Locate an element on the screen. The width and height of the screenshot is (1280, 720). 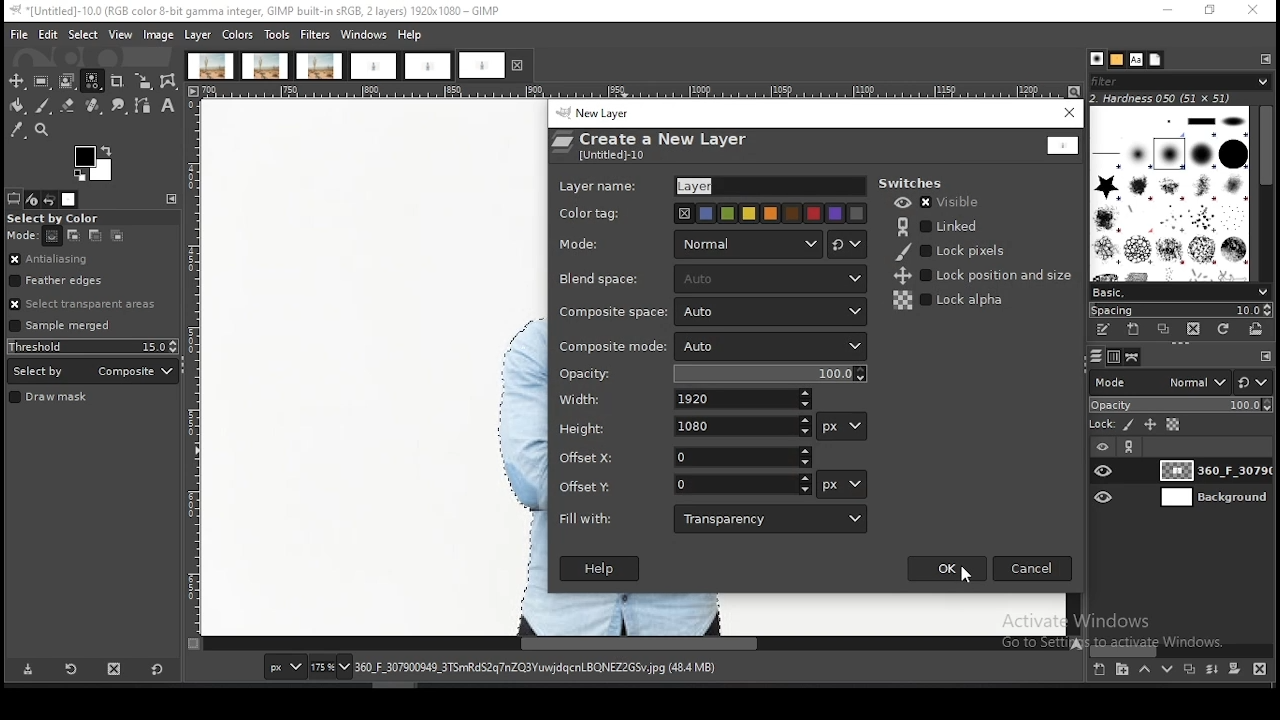
delete brush is located at coordinates (1194, 330).